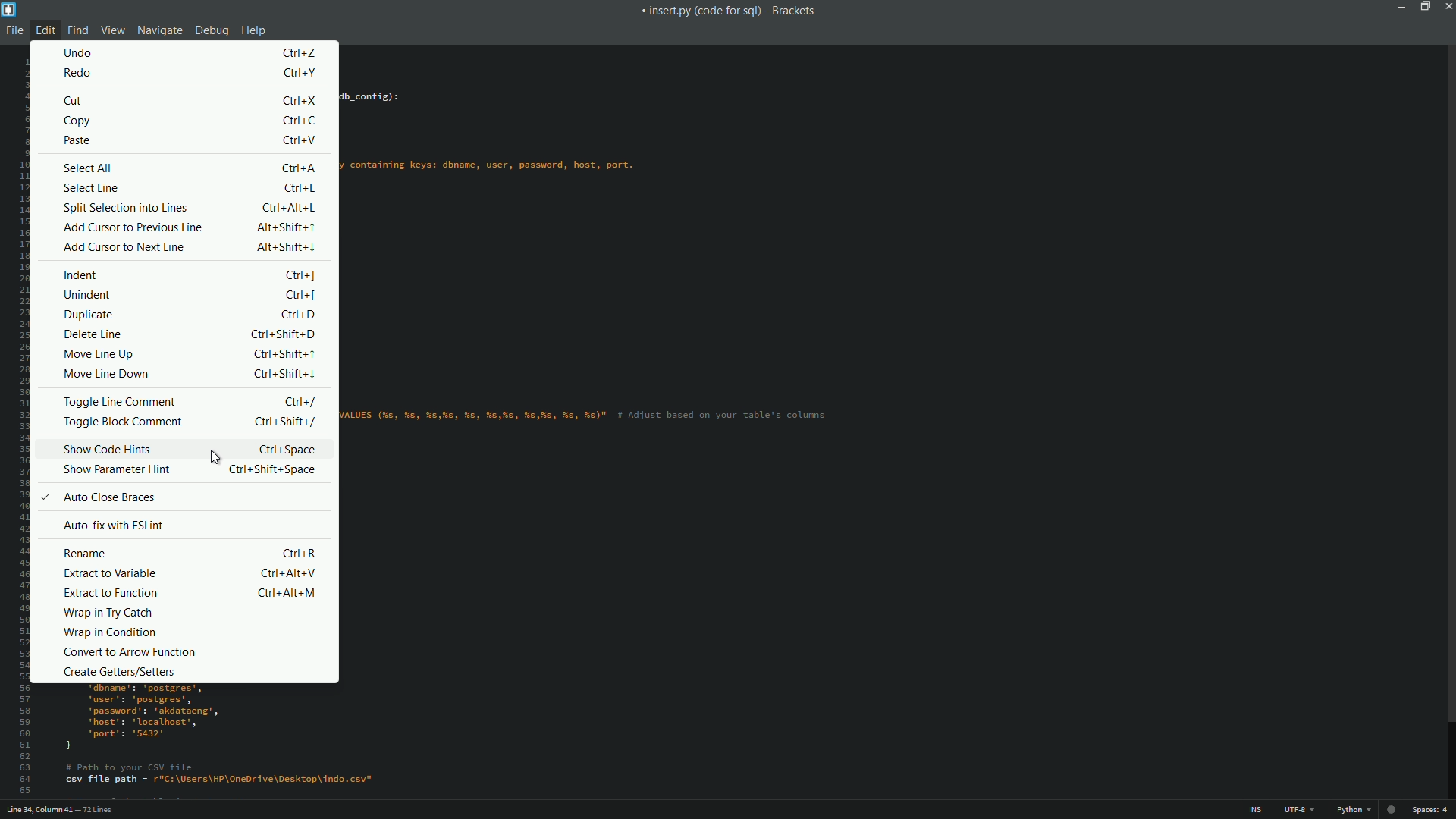  Describe the element at coordinates (89, 315) in the screenshot. I see `duplicate` at that location.